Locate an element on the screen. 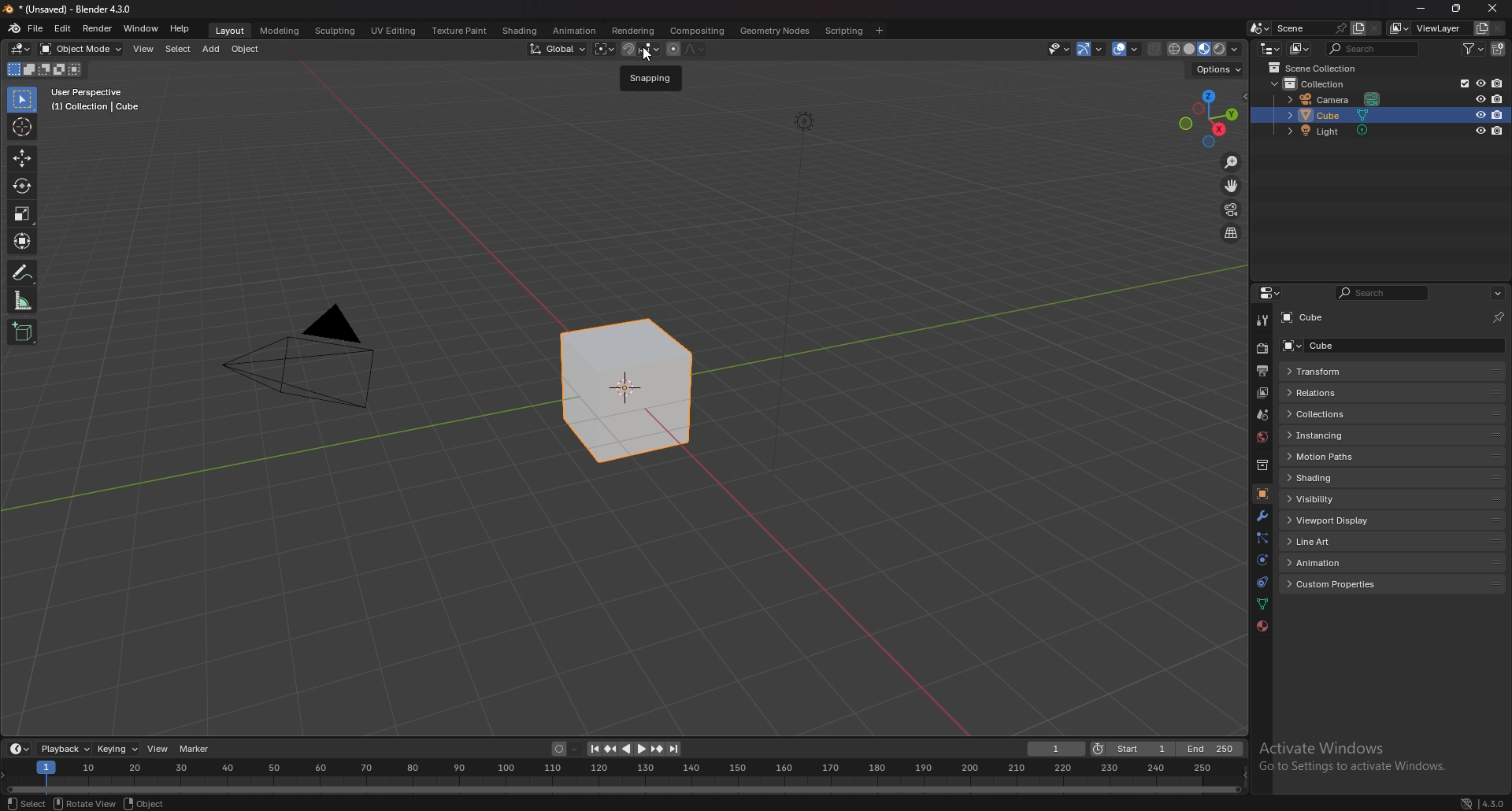 The width and height of the screenshot is (1512, 811). cube is located at coordinates (1315, 318).